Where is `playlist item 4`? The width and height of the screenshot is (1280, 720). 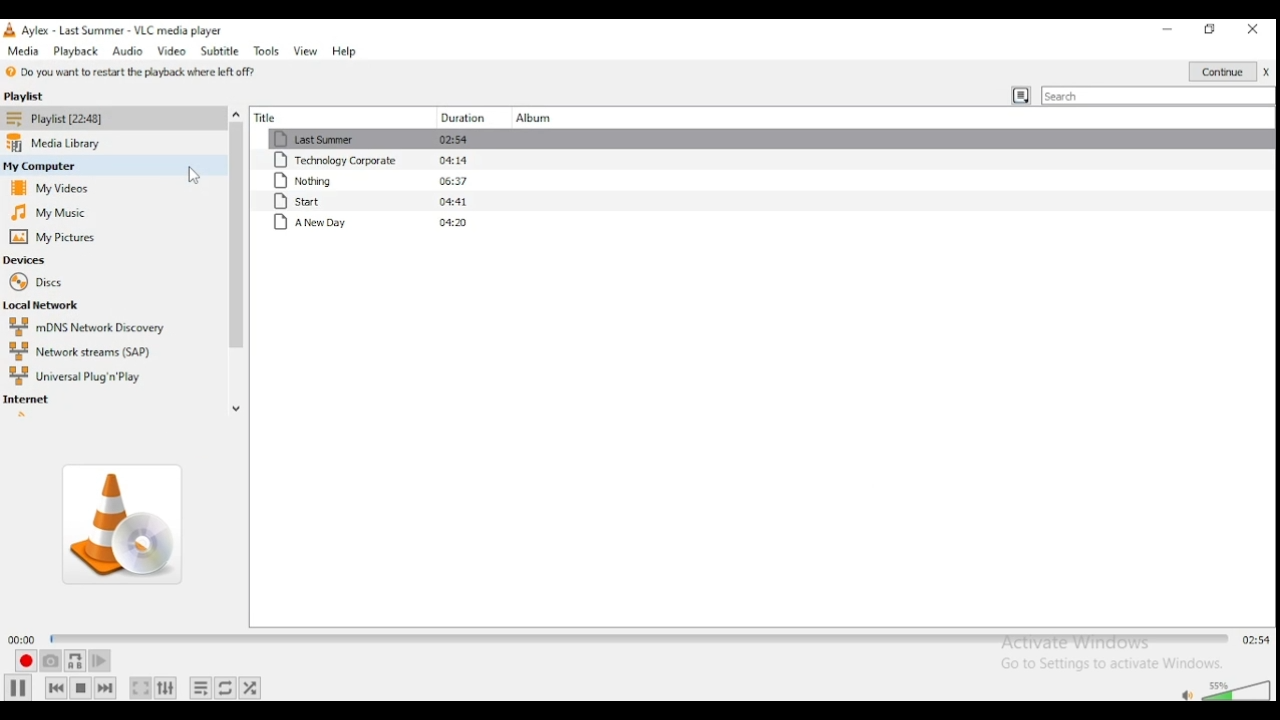 playlist item 4 is located at coordinates (383, 203).